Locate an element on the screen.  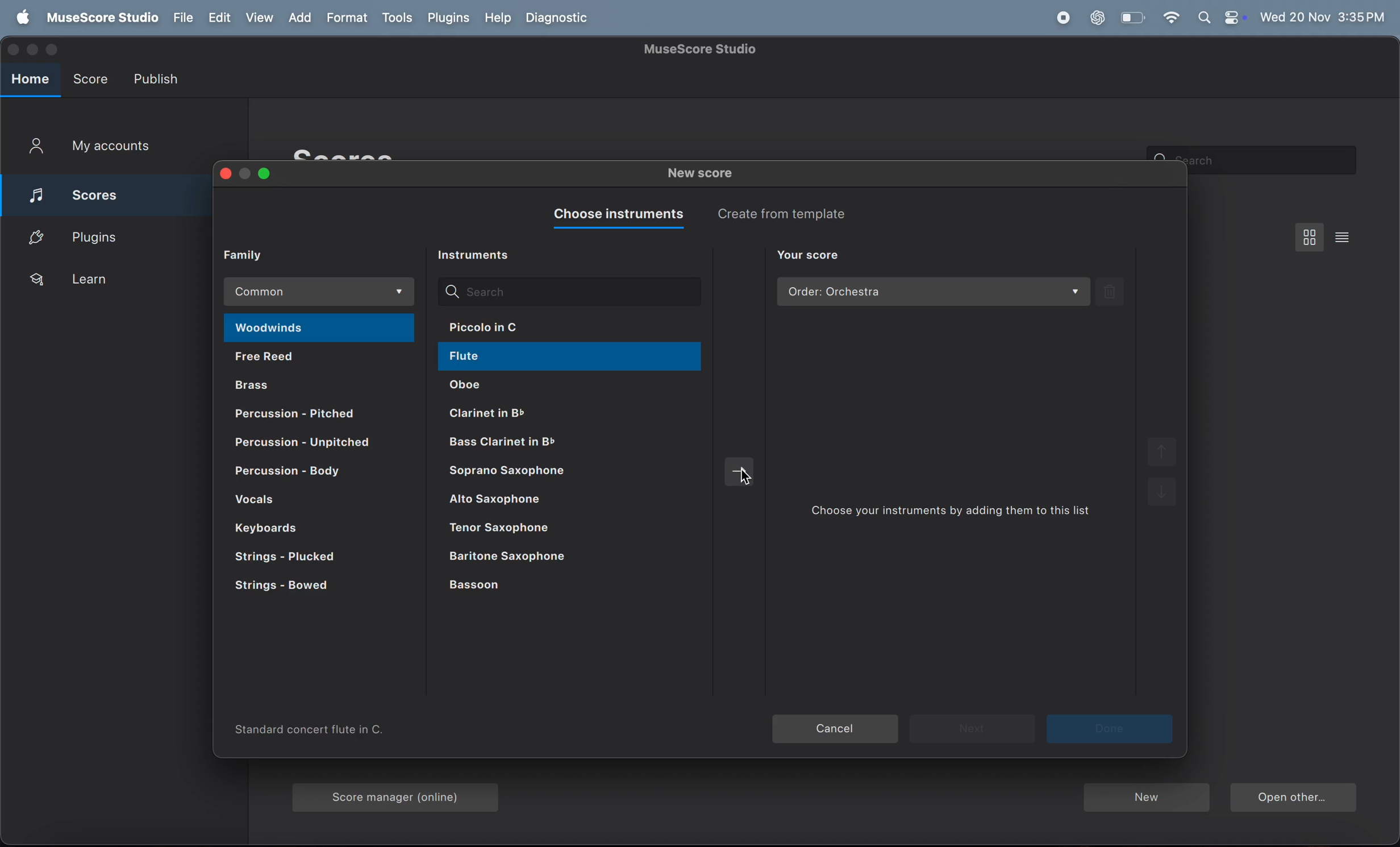
plugins is located at coordinates (448, 18).